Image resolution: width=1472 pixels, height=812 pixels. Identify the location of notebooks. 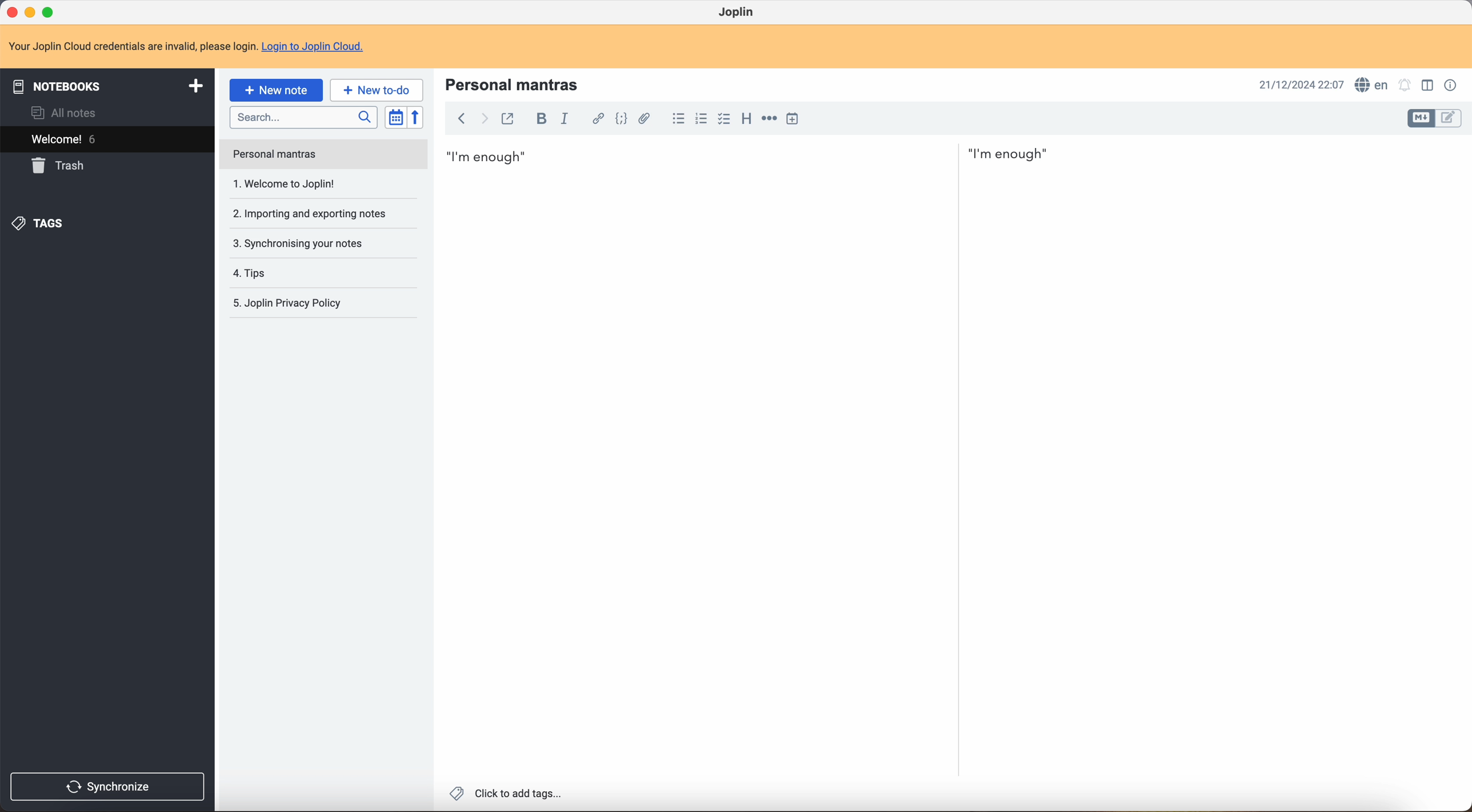
(107, 85).